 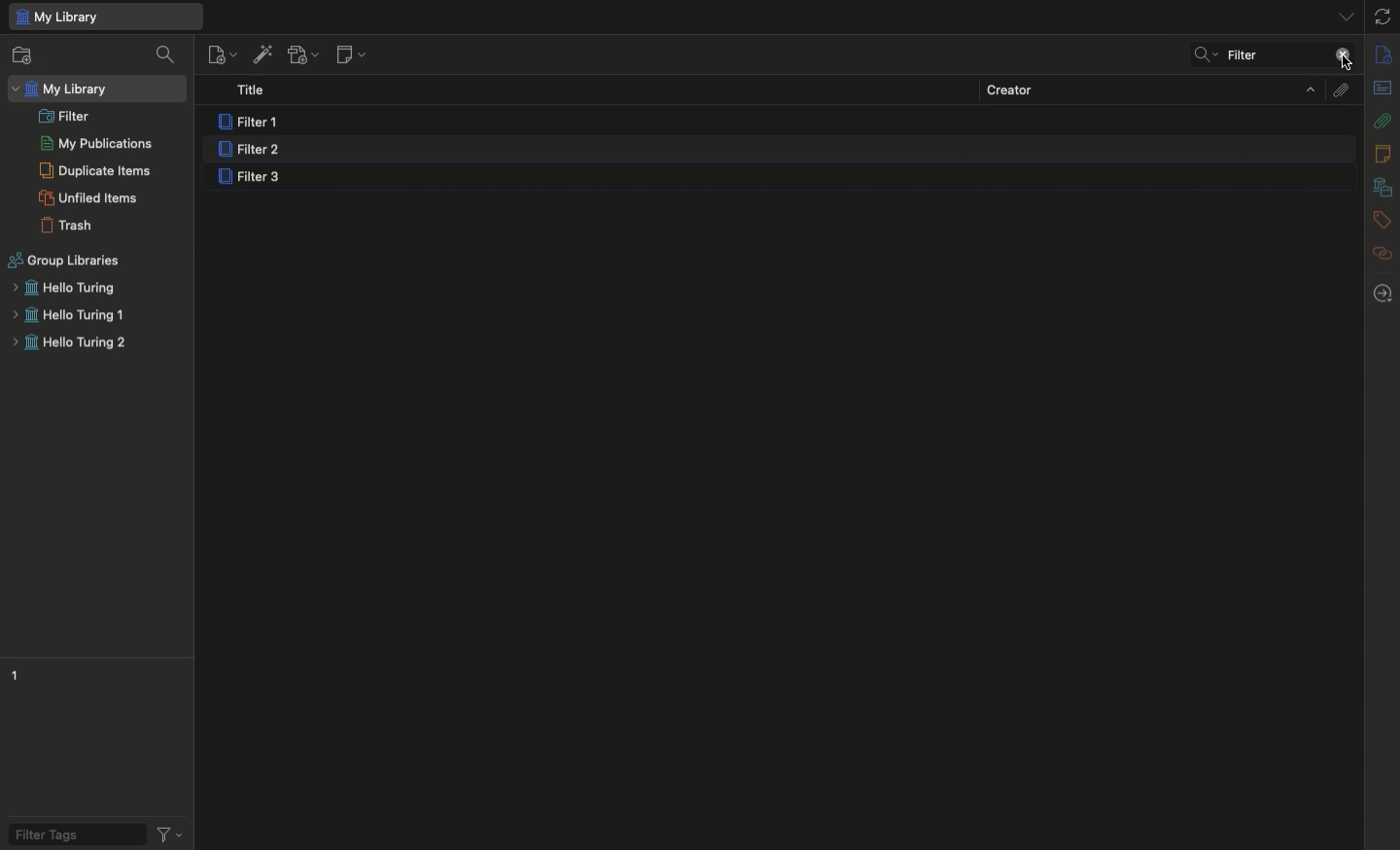 What do you see at coordinates (349, 55) in the screenshot?
I see `New note` at bounding box center [349, 55].